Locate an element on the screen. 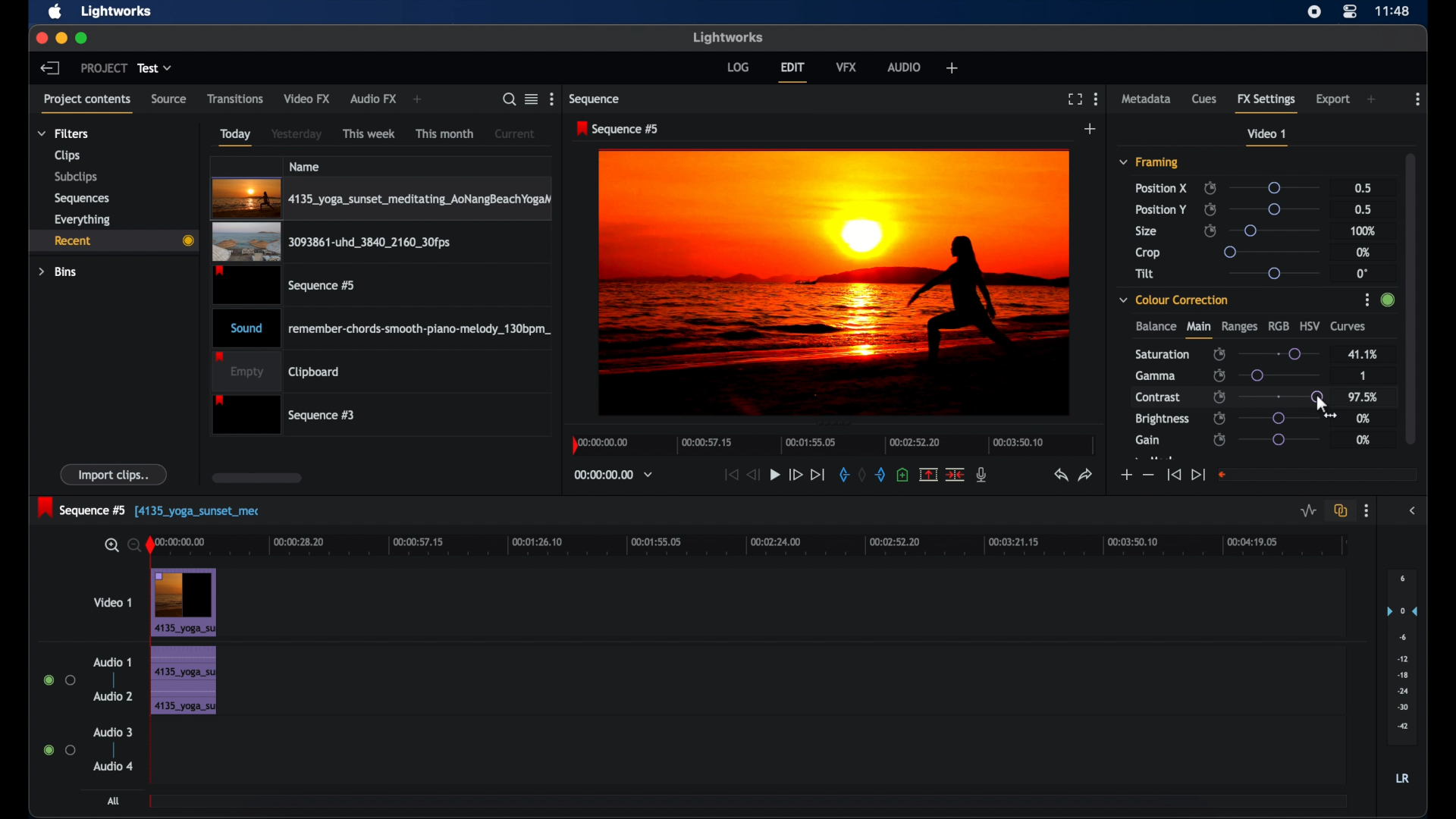 The image size is (1456, 819). today is located at coordinates (235, 136).